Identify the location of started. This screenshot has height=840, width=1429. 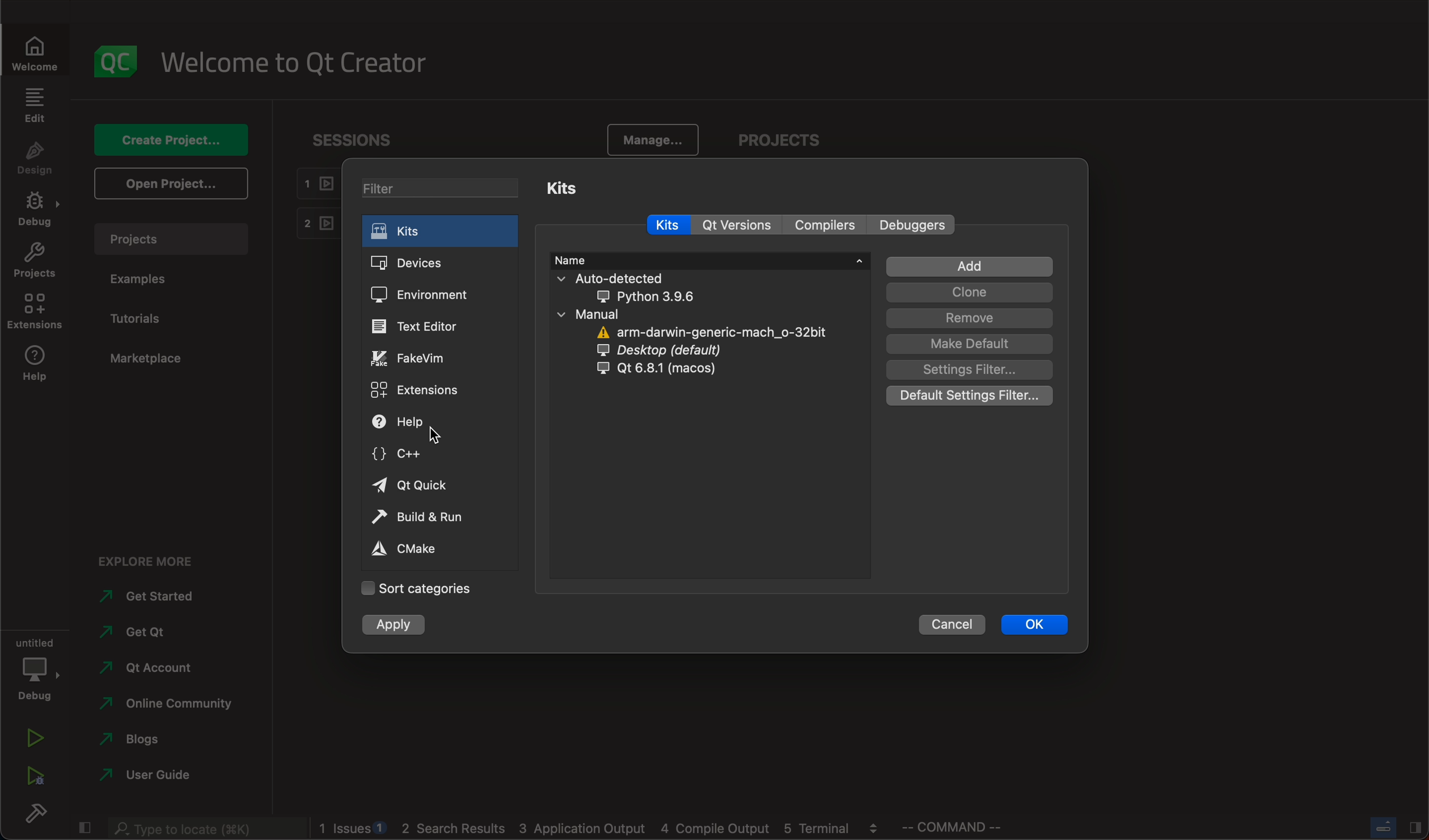
(155, 597).